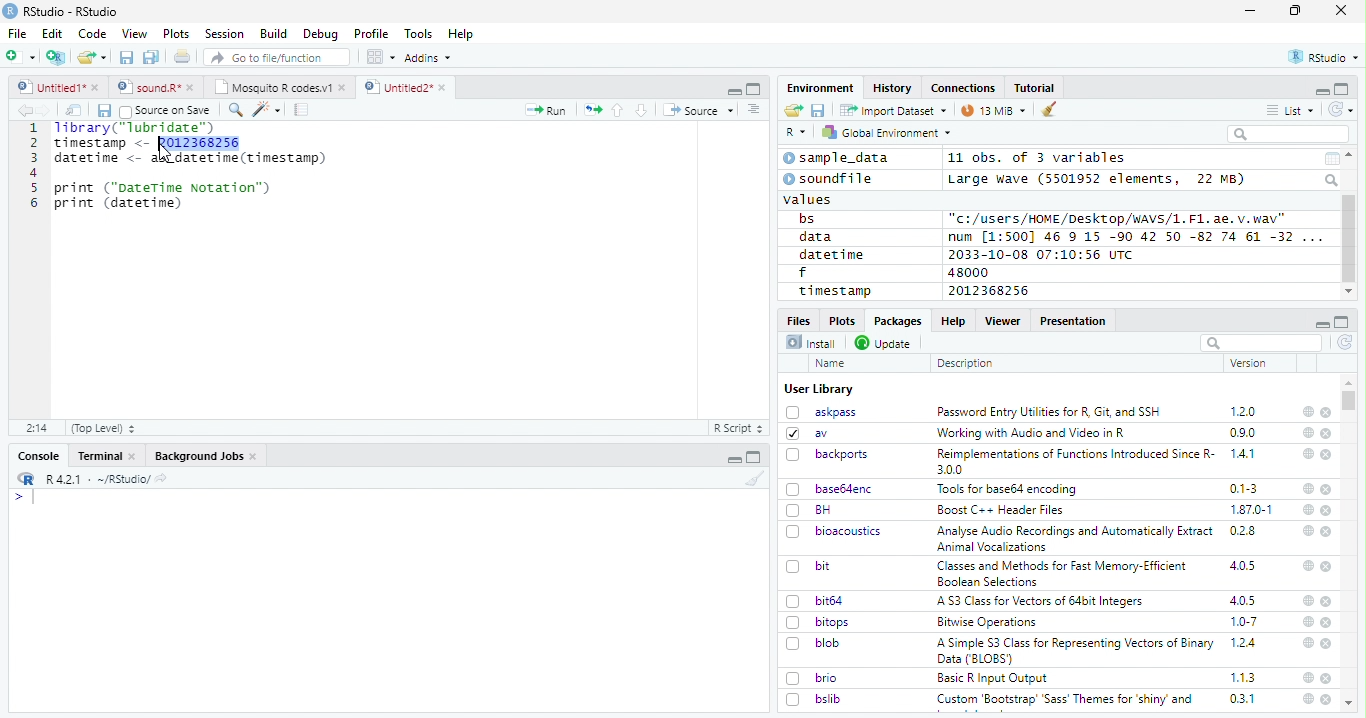  I want to click on Save all the open documents, so click(152, 58).